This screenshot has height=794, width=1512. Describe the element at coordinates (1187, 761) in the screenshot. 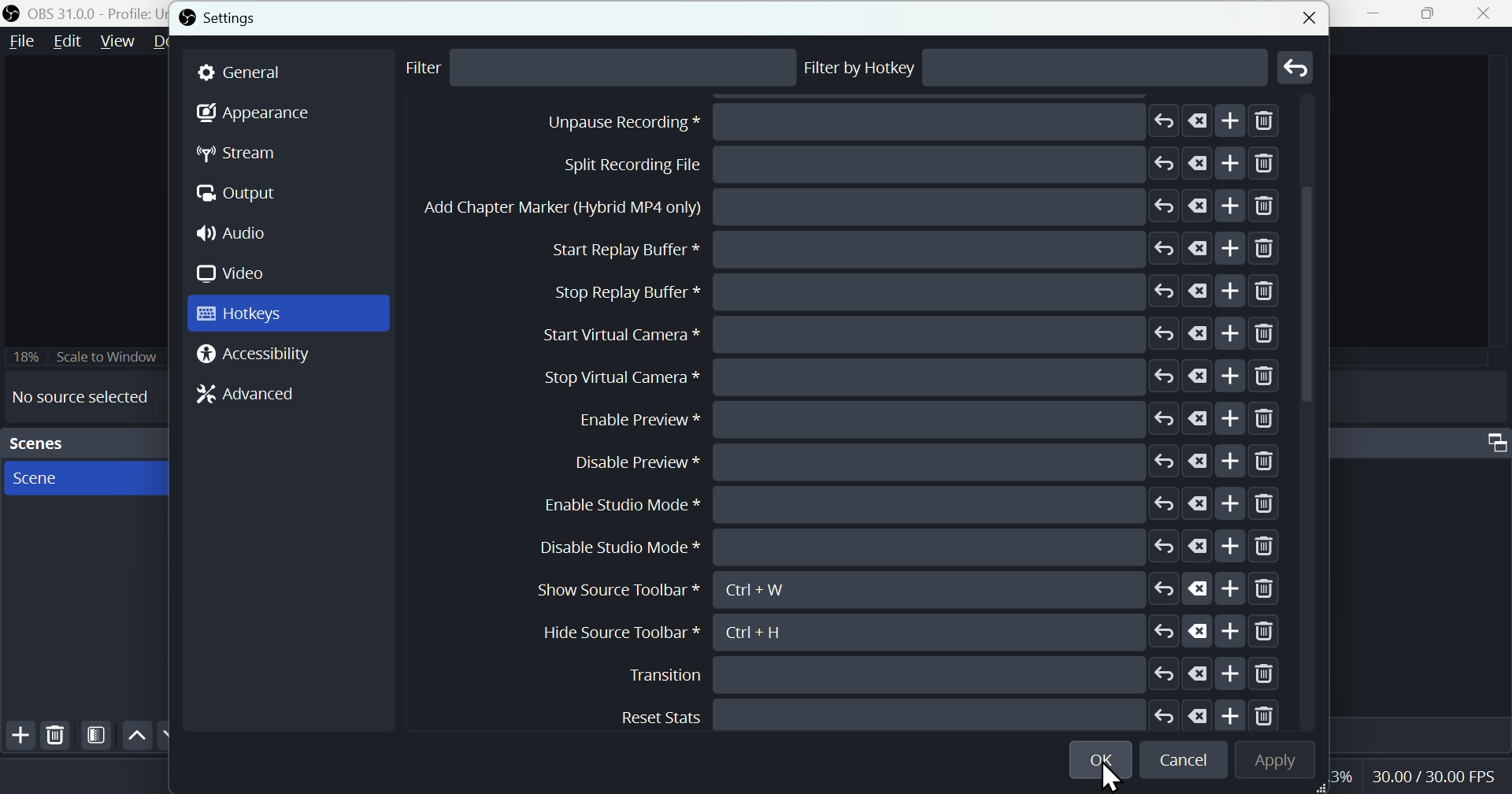

I see `cancel` at that location.